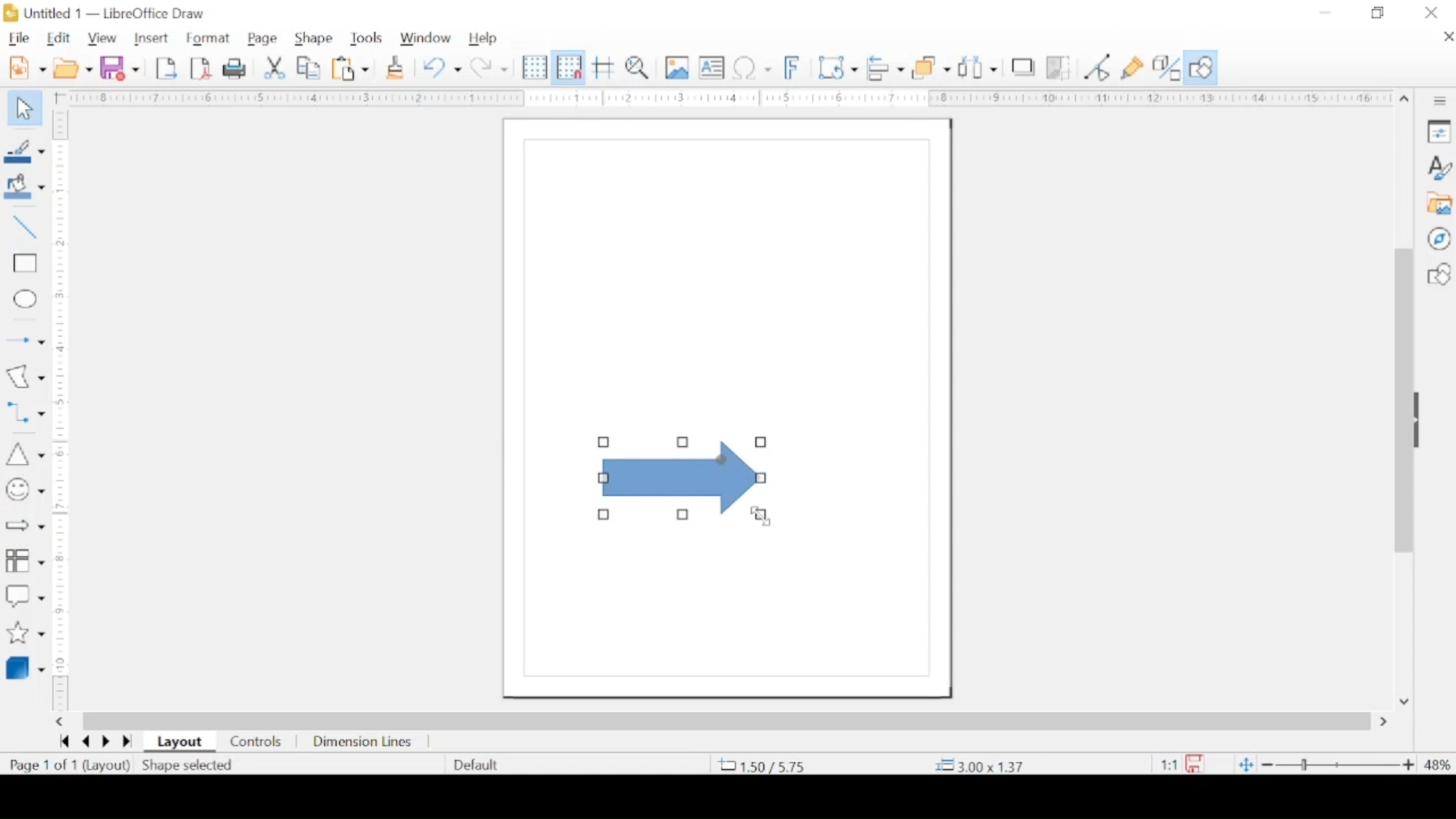 The image size is (1456, 819). What do you see at coordinates (1097, 67) in the screenshot?
I see `toggle point edit mode` at bounding box center [1097, 67].